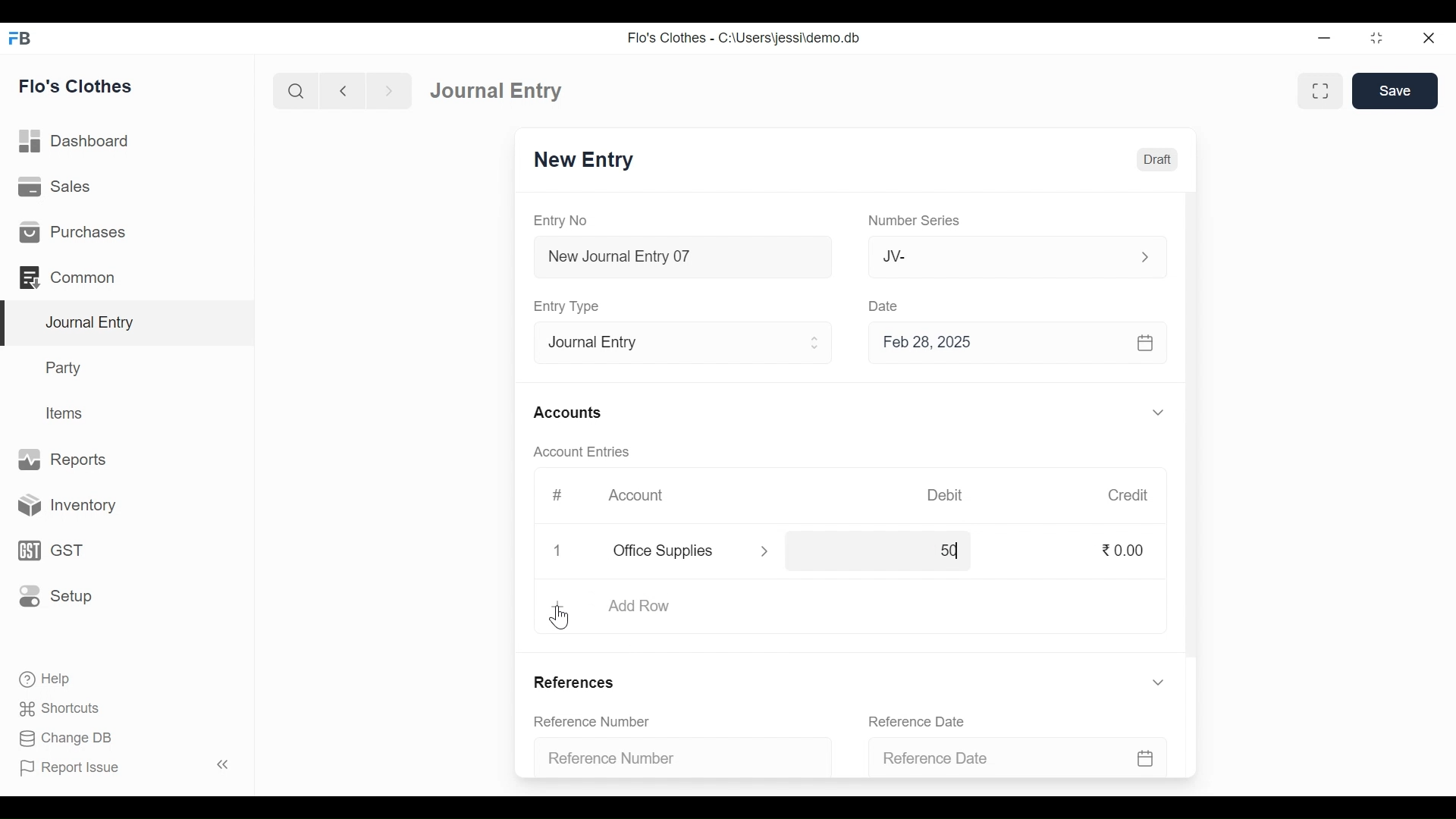  Describe the element at coordinates (76, 86) in the screenshot. I see `Flo's Clothes` at that location.